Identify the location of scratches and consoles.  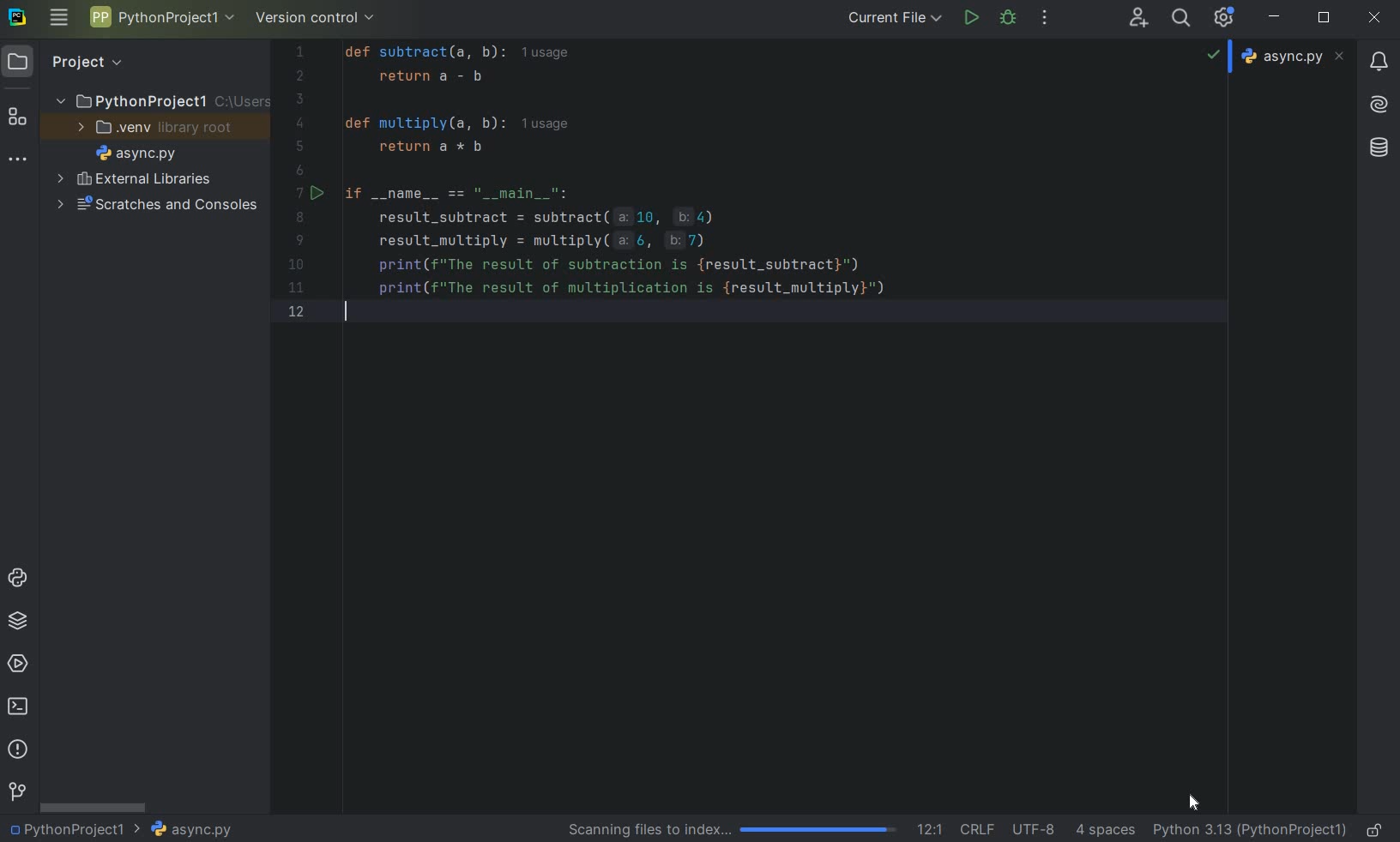
(156, 207).